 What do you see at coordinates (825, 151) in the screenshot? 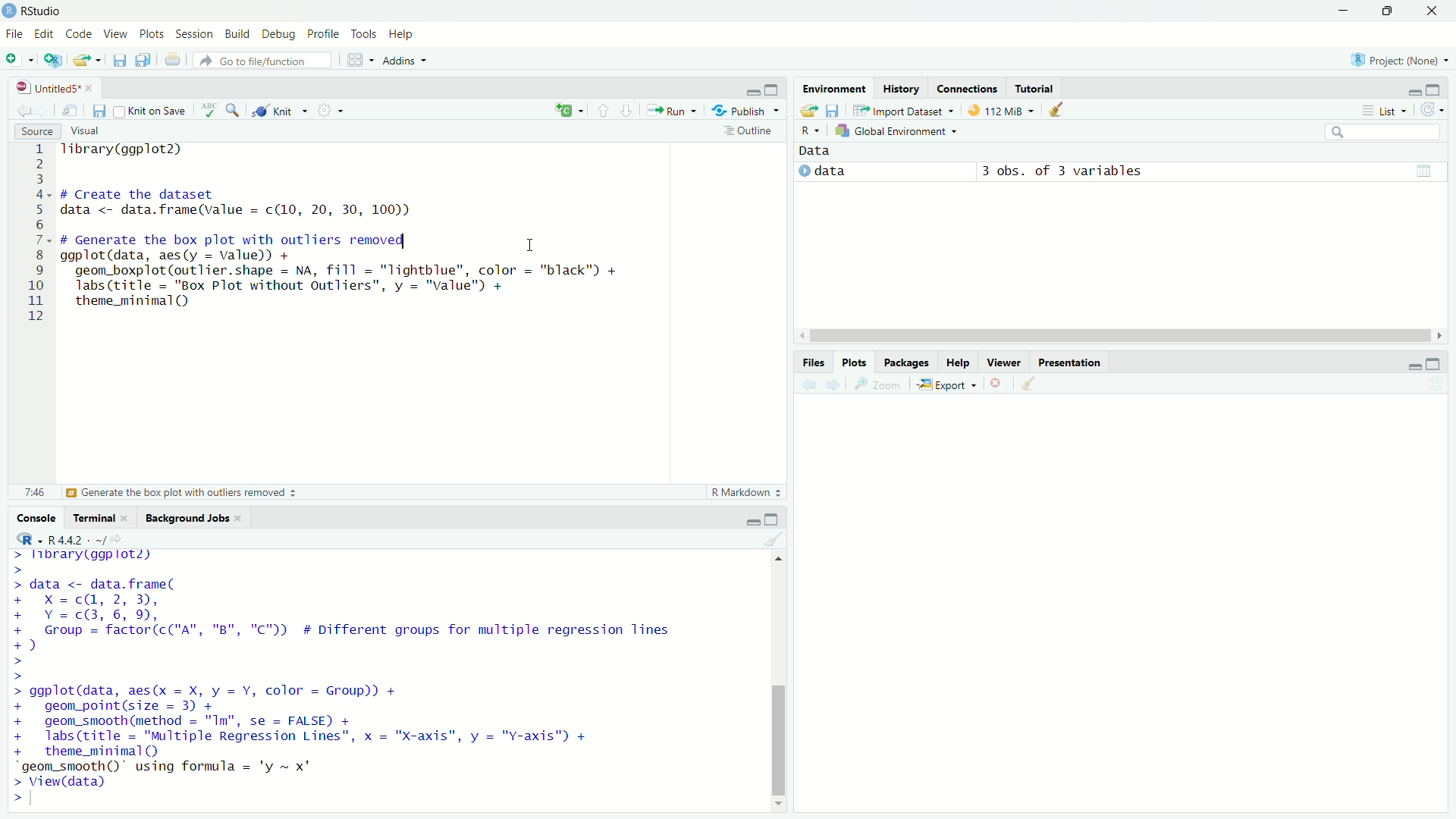
I see `data` at bounding box center [825, 151].